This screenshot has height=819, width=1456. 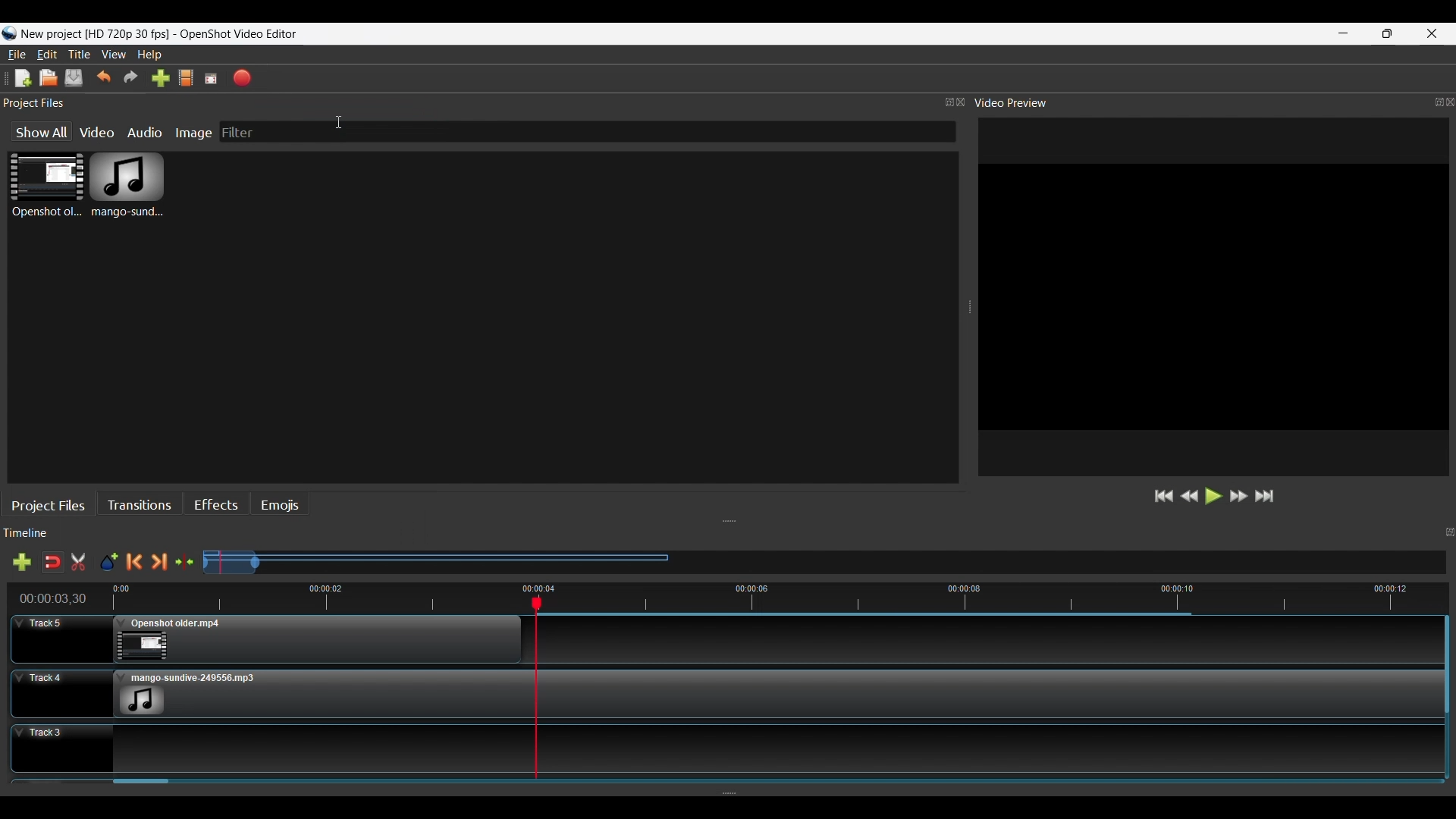 I want to click on File, so click(x=17, y=55).